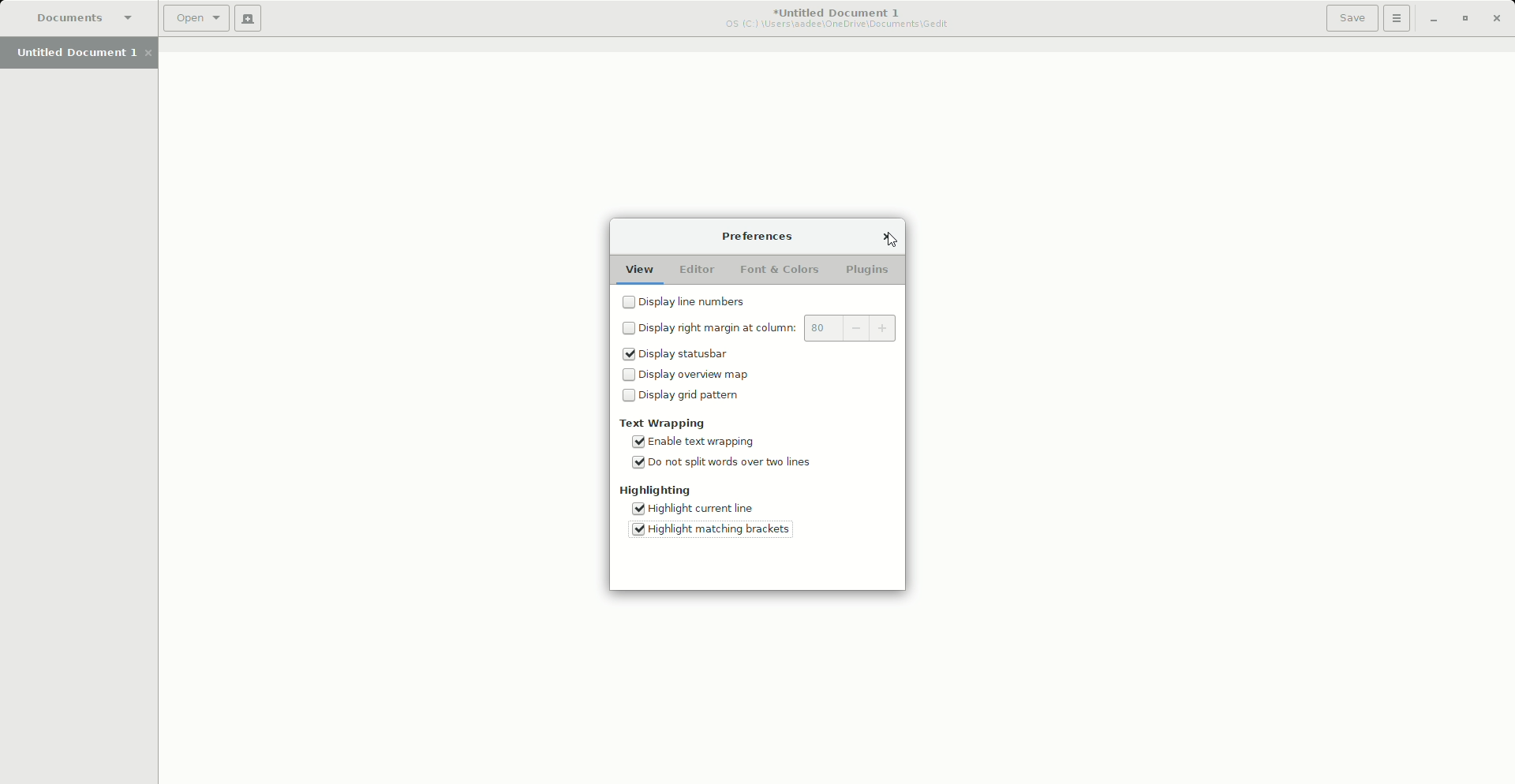 This screenshot has height=784, width=1515. Describe the element at coordinates (193, 21) in the screenshot. I see `Open` at that location.